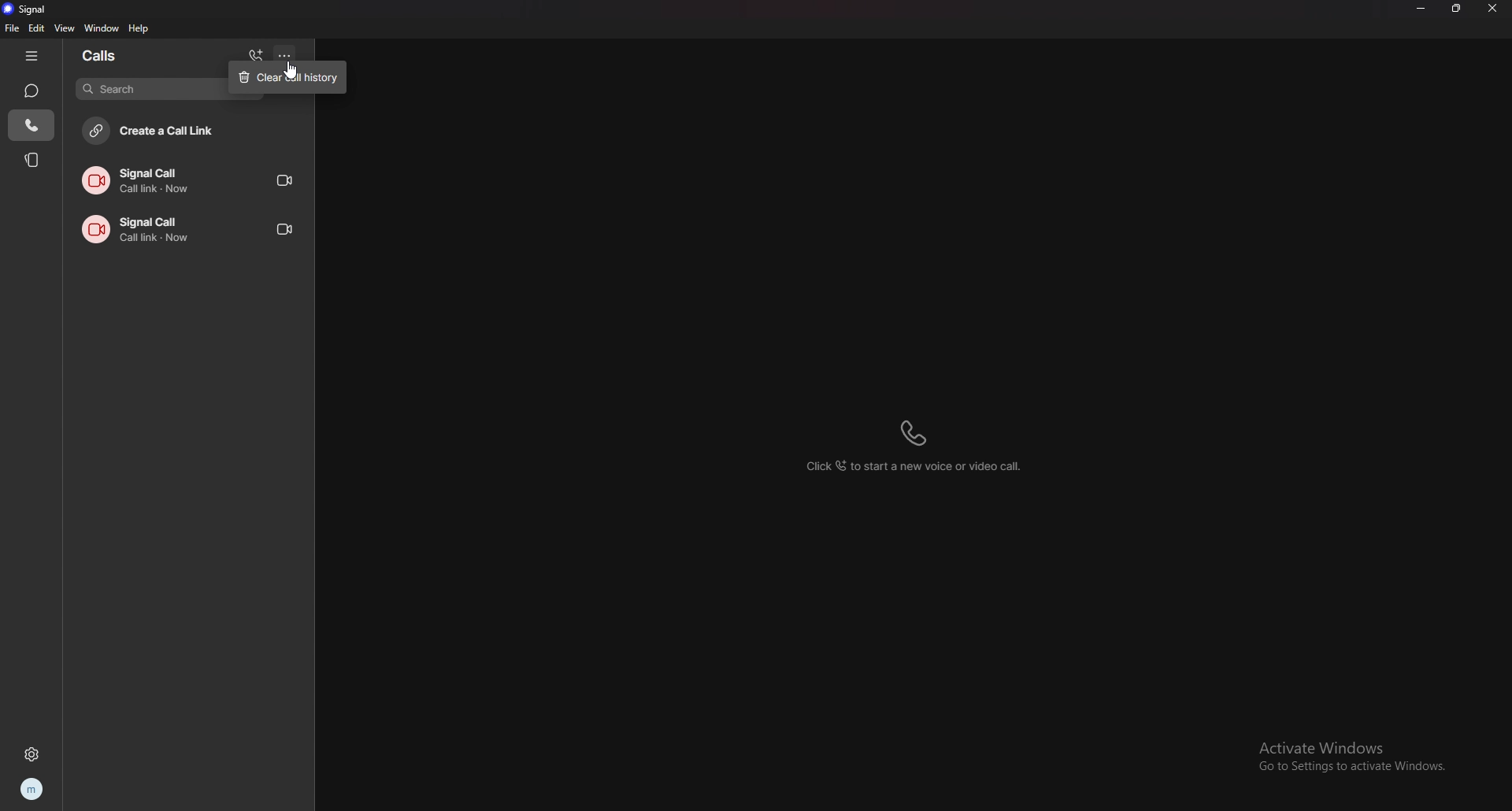 The width and height of the screenshot is (1512, 811). Describe the element at coordinates (1421, 9) in the screenshot. I see `minimize` at that location.